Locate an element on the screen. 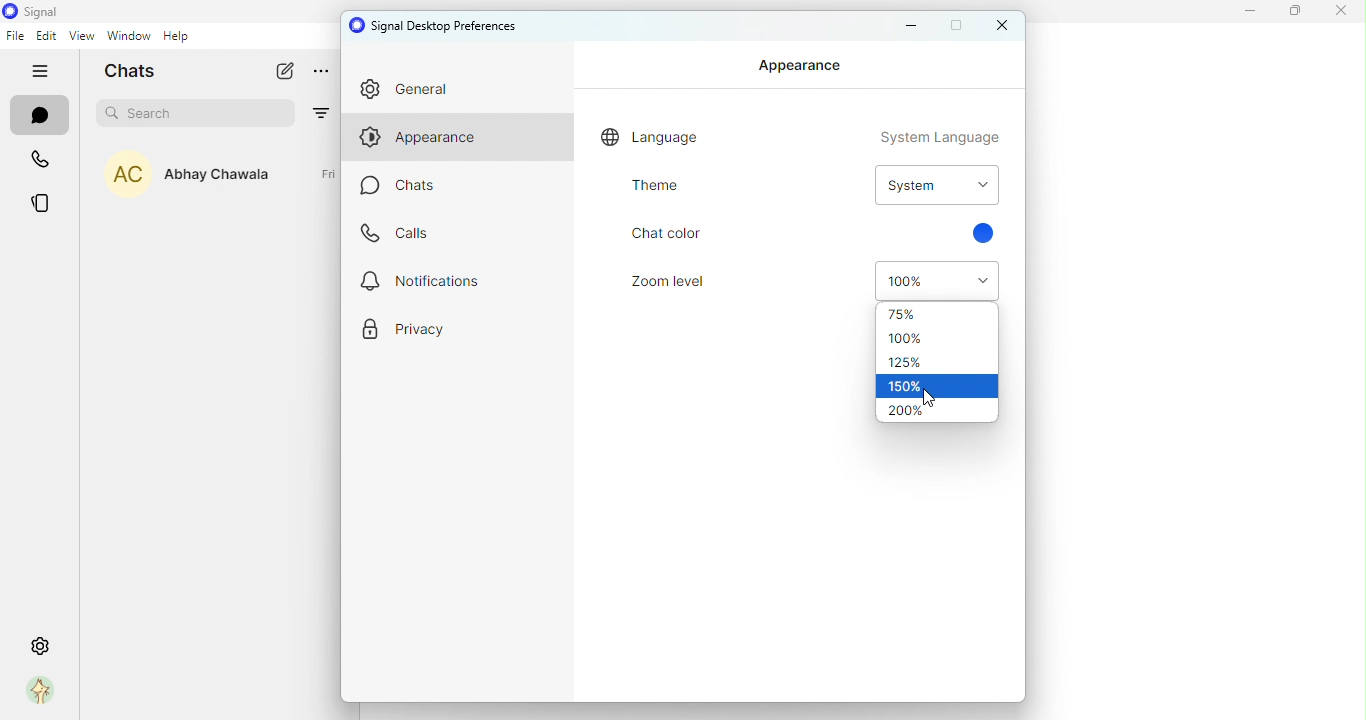  Drop down is located at coordinates (933, 187).